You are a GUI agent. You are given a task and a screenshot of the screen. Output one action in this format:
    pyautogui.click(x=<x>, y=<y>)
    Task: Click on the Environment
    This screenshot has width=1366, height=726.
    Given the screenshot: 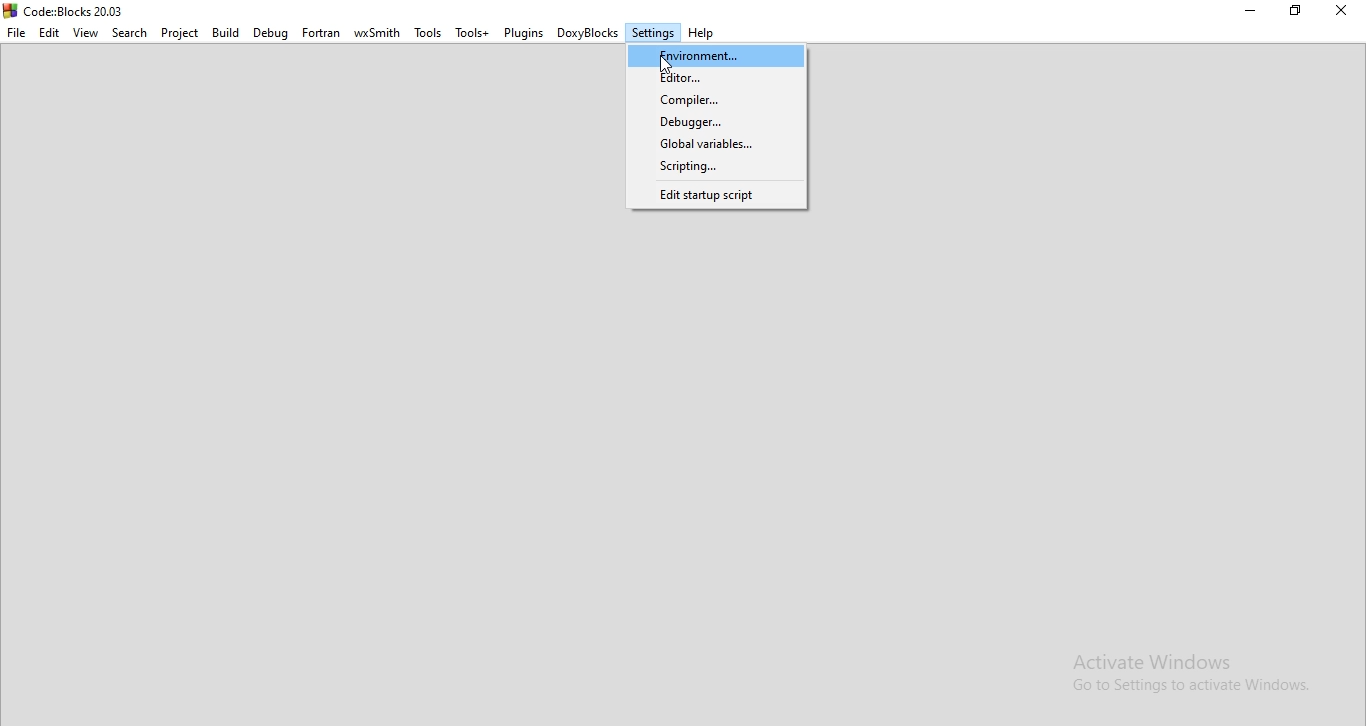 What is the action you would take?
    pyautogui.click(x=714, y=53)
    